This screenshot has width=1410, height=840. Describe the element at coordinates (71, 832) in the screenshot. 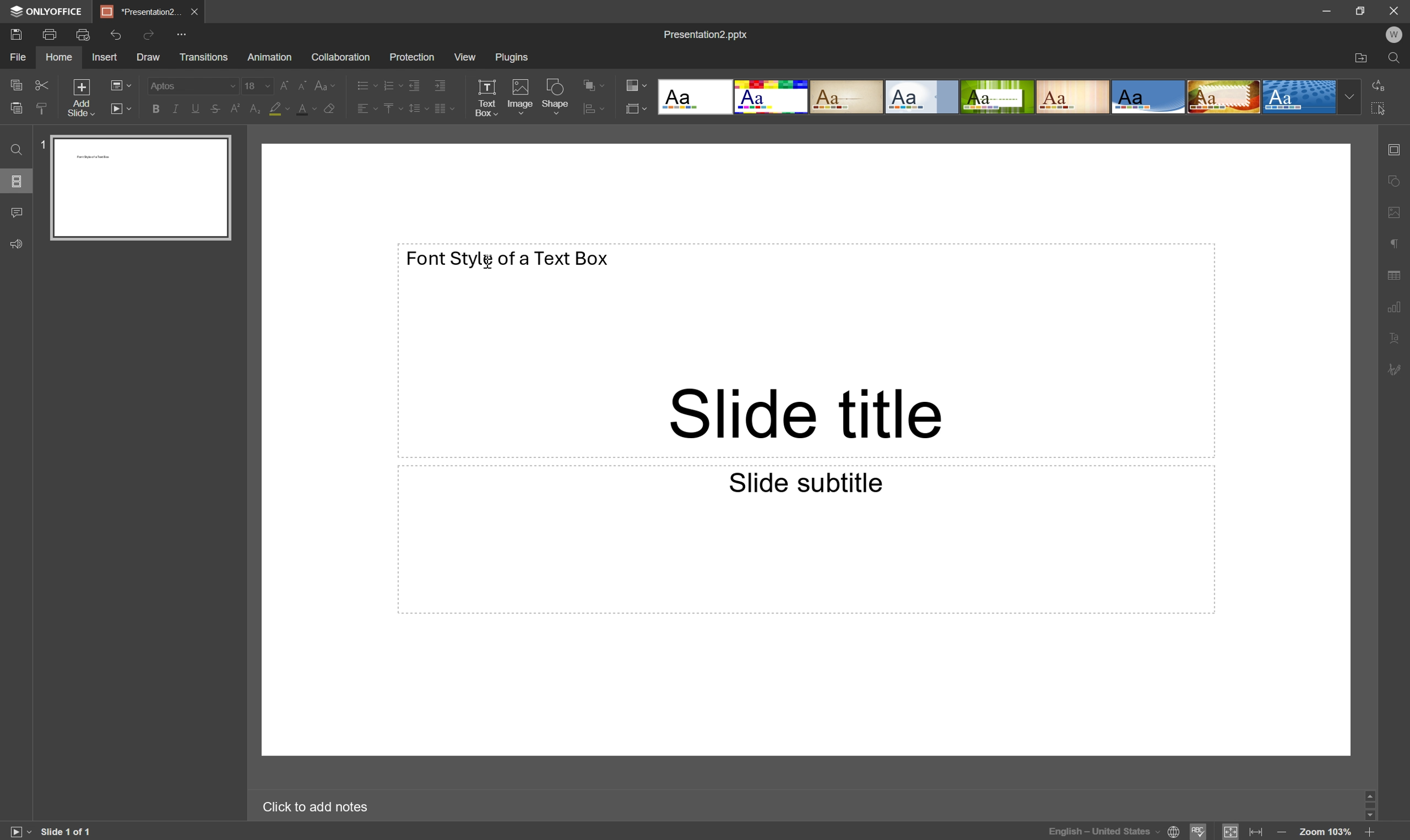

I see `Slide 1 of 1` at that location.